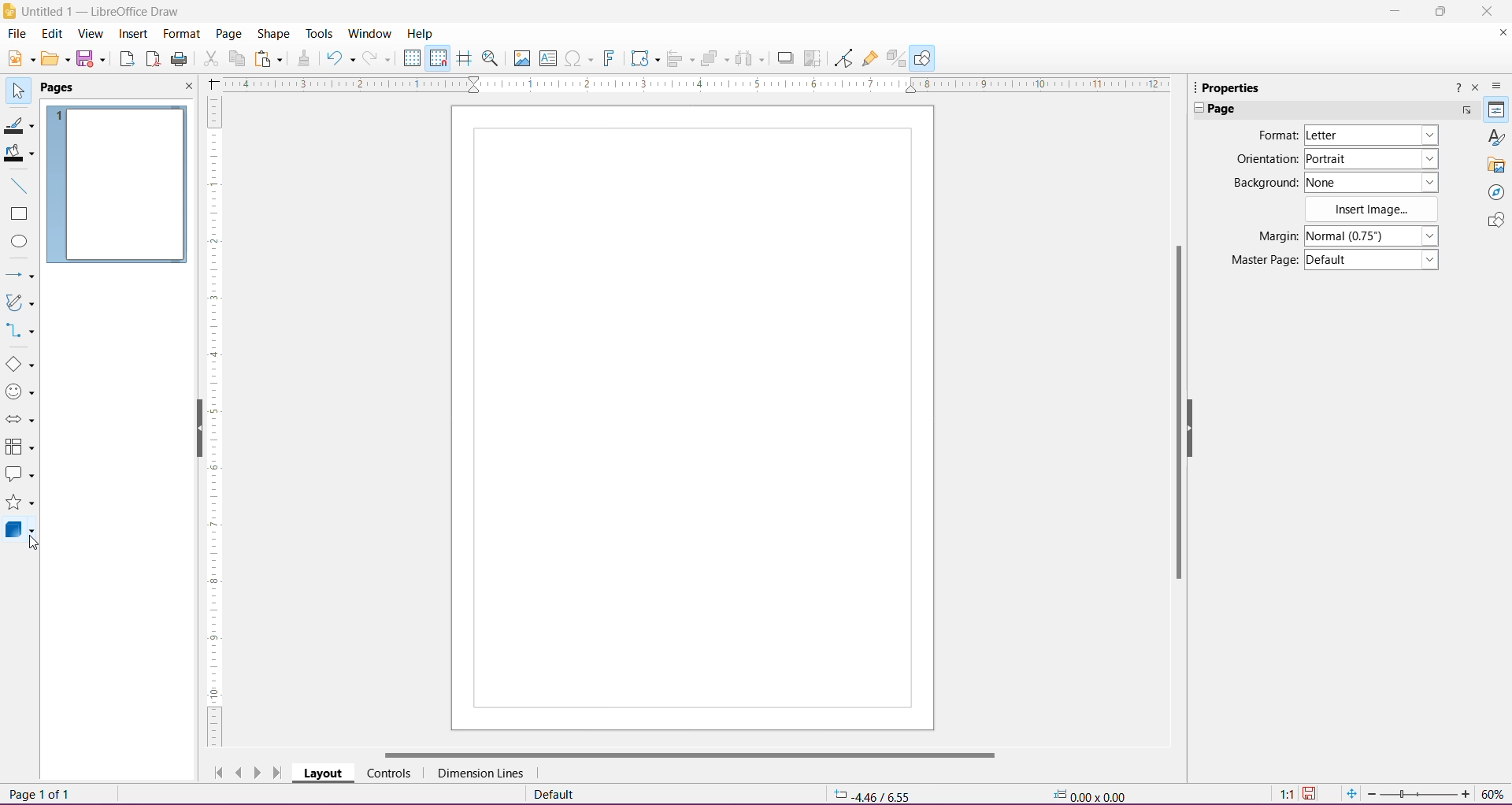 This screenshot has width=1512, height=805. Describe the element at coordinates (643, 58) in the screenshot. I see `Transformations` at that location.